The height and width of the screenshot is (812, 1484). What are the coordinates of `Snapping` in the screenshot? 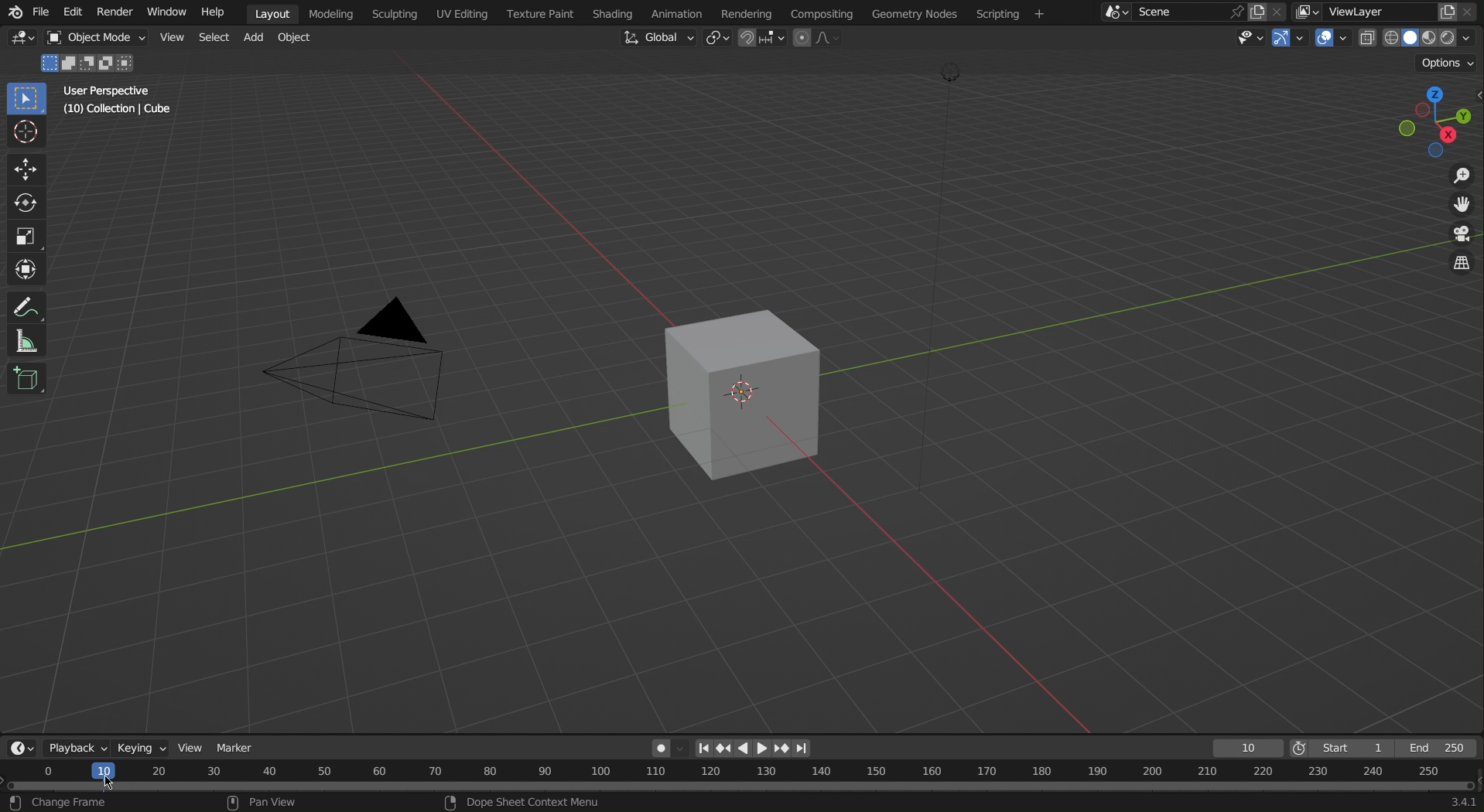 It's located at (763, 41).